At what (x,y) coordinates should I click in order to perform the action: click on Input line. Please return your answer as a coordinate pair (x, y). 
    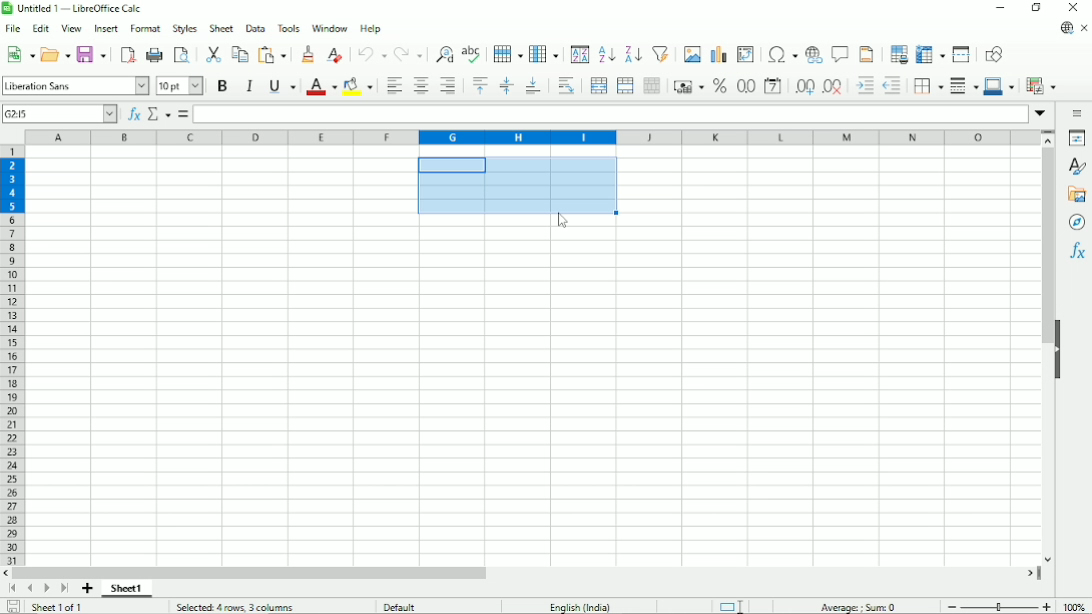
    Looking at the image, I should click on (610, 114).